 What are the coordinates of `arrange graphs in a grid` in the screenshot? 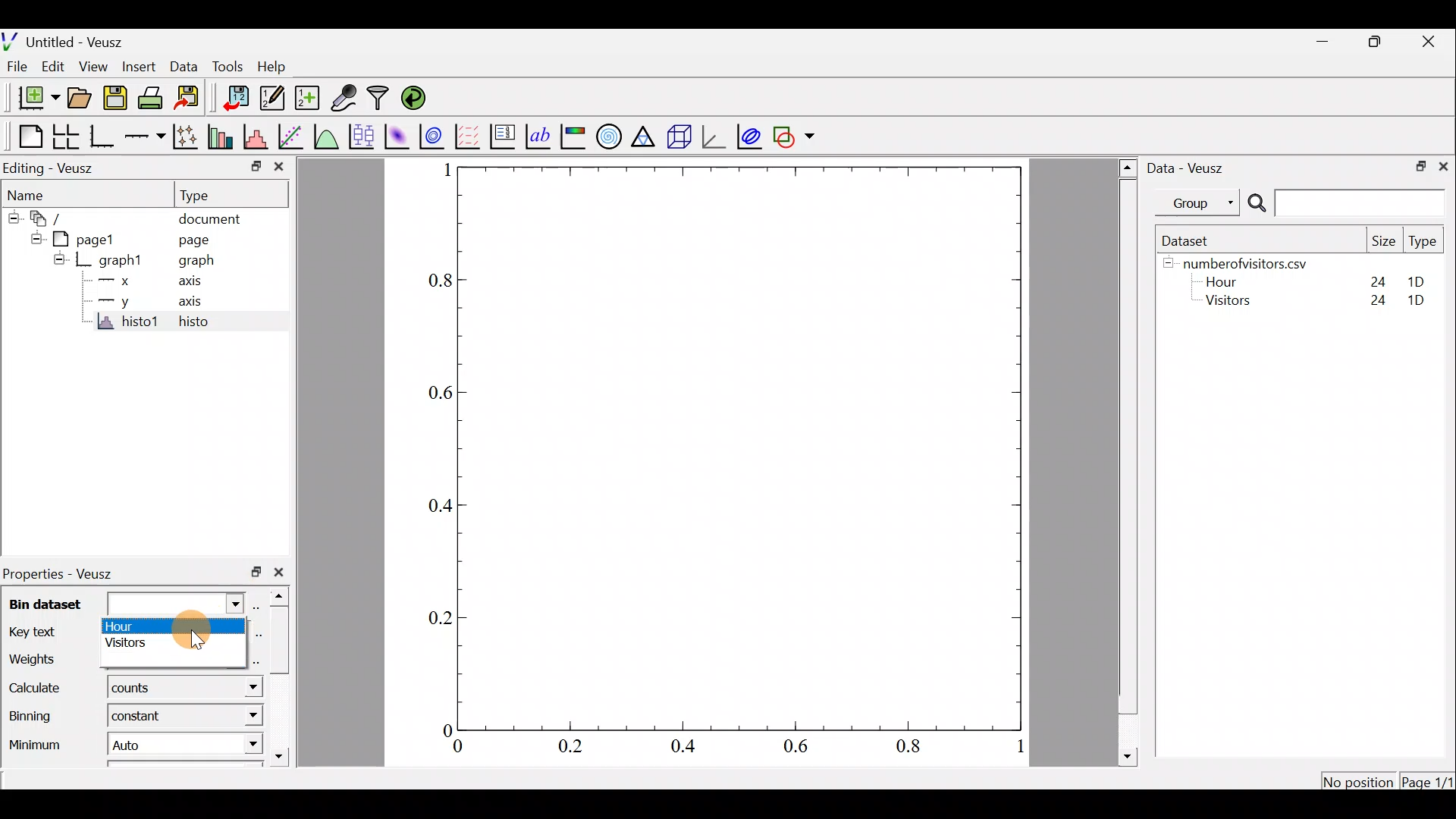 It's located at (65, 136).